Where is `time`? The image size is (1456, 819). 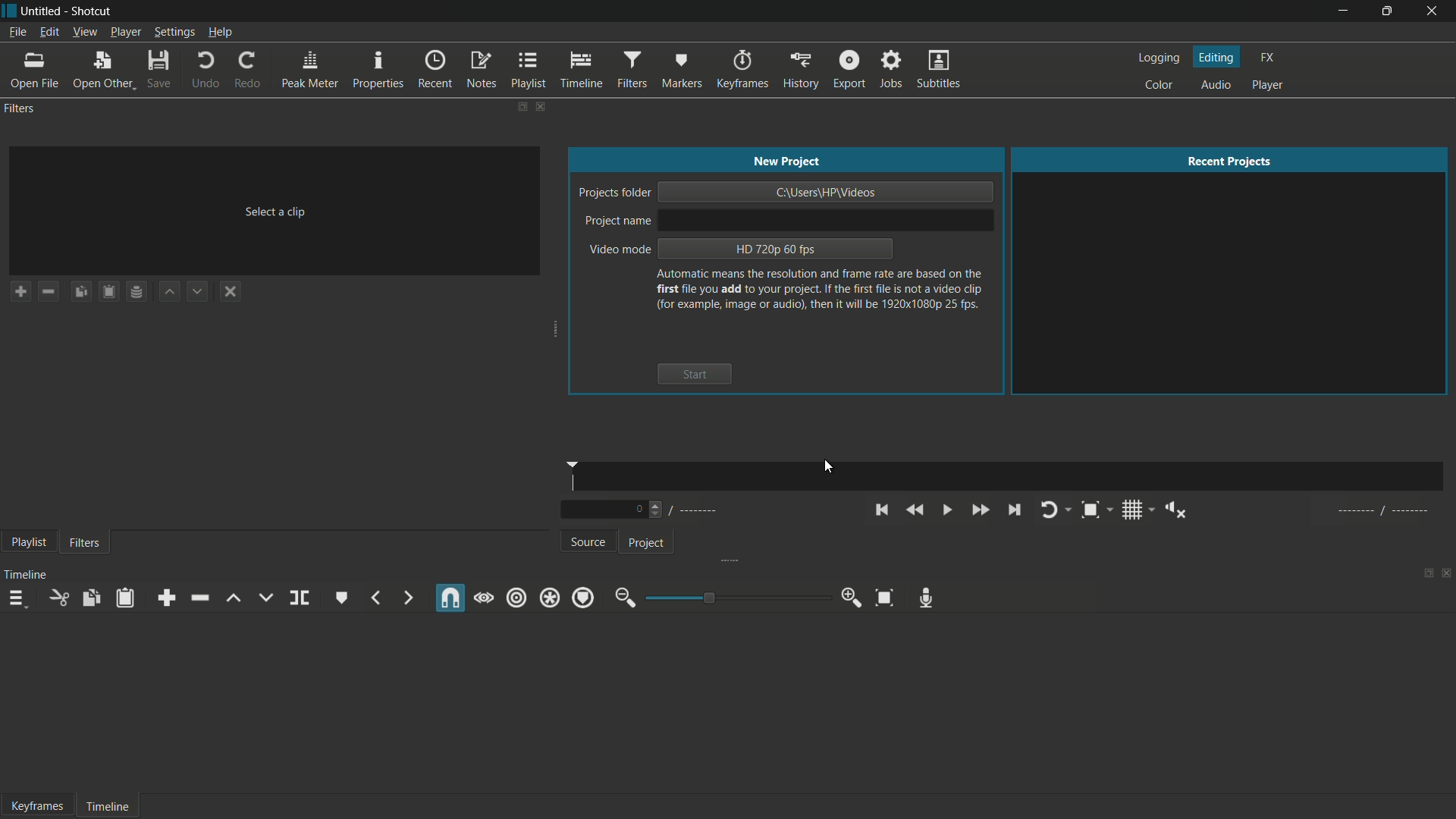 time is located at coordinates (1012, 477).